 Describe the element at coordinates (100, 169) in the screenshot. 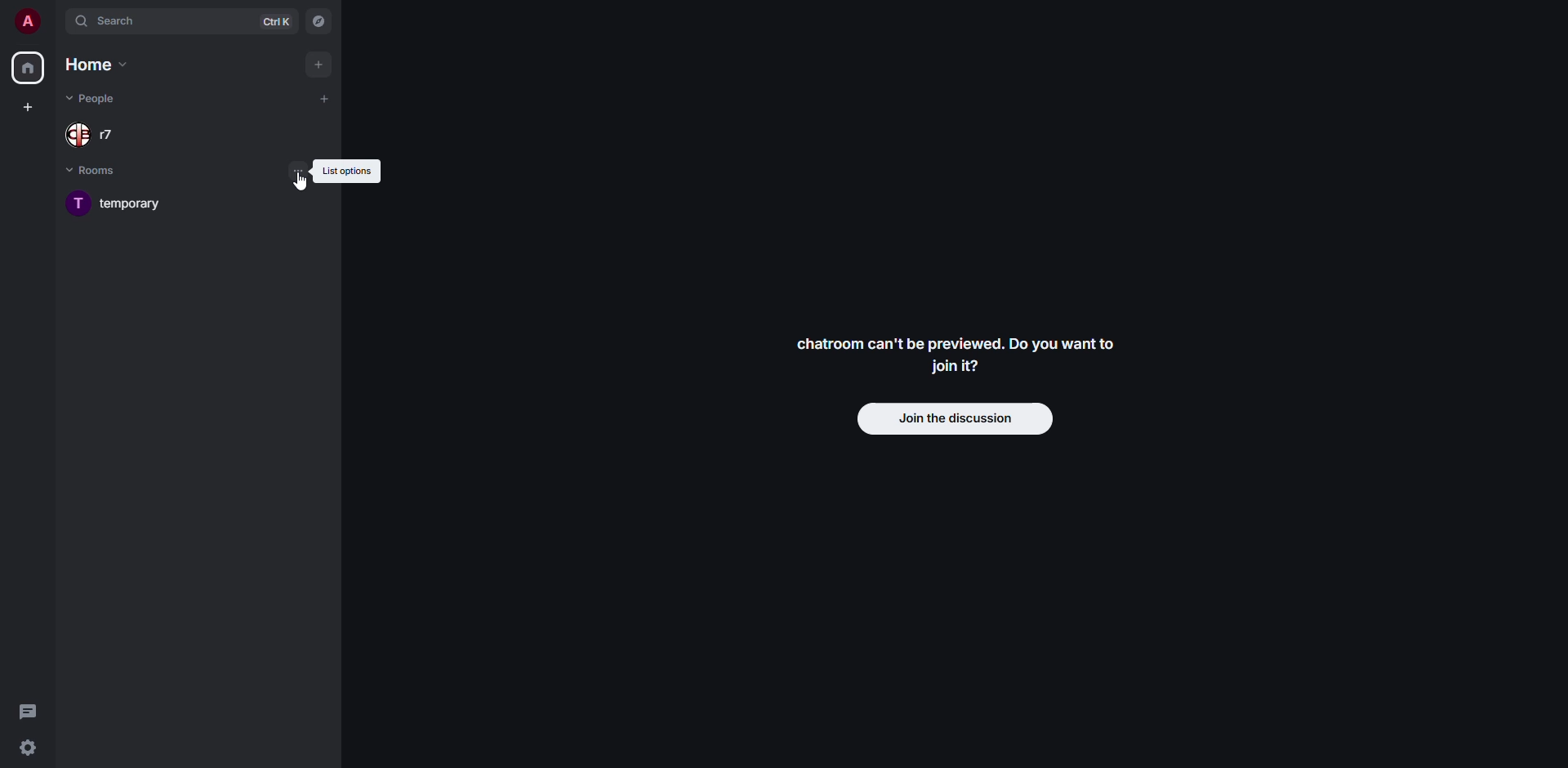

I see `rooms` at that location.